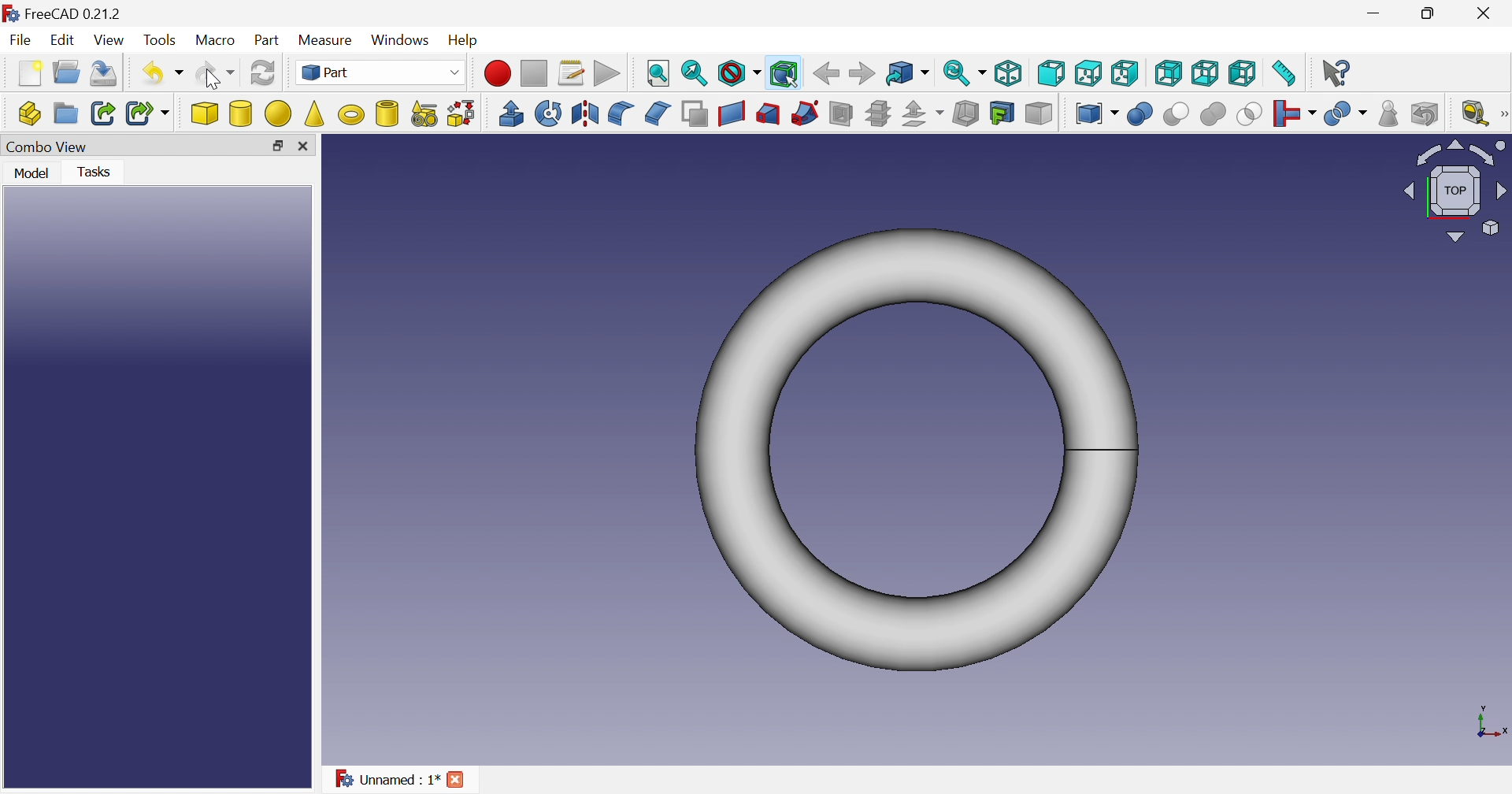 The height and width of the screenshot is (794, 1512). Describe the element at coordinates (328, 41) in the screenshot. I see `Measure` at that location.